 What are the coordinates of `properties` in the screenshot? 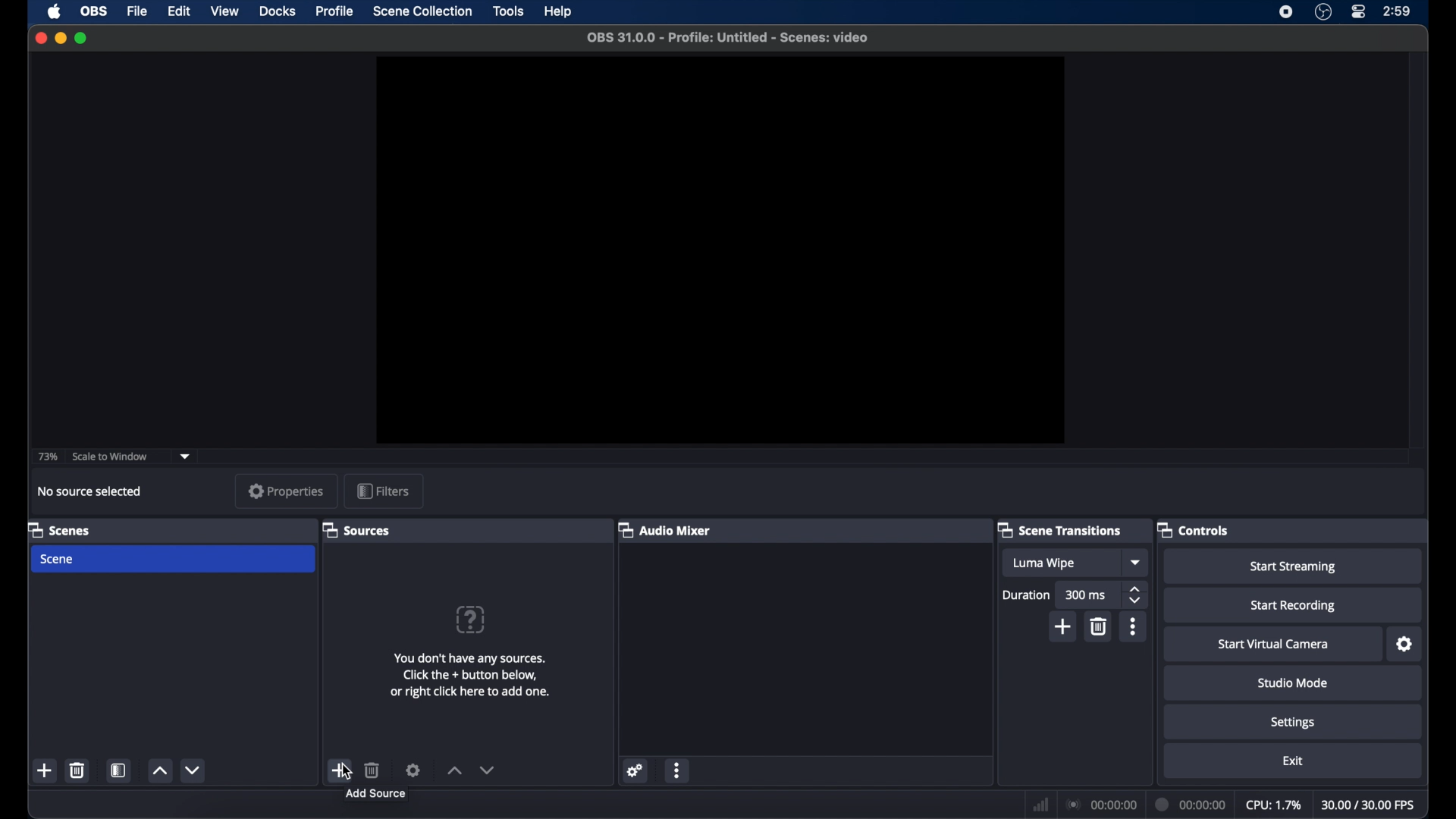 It's located at (286, 491).